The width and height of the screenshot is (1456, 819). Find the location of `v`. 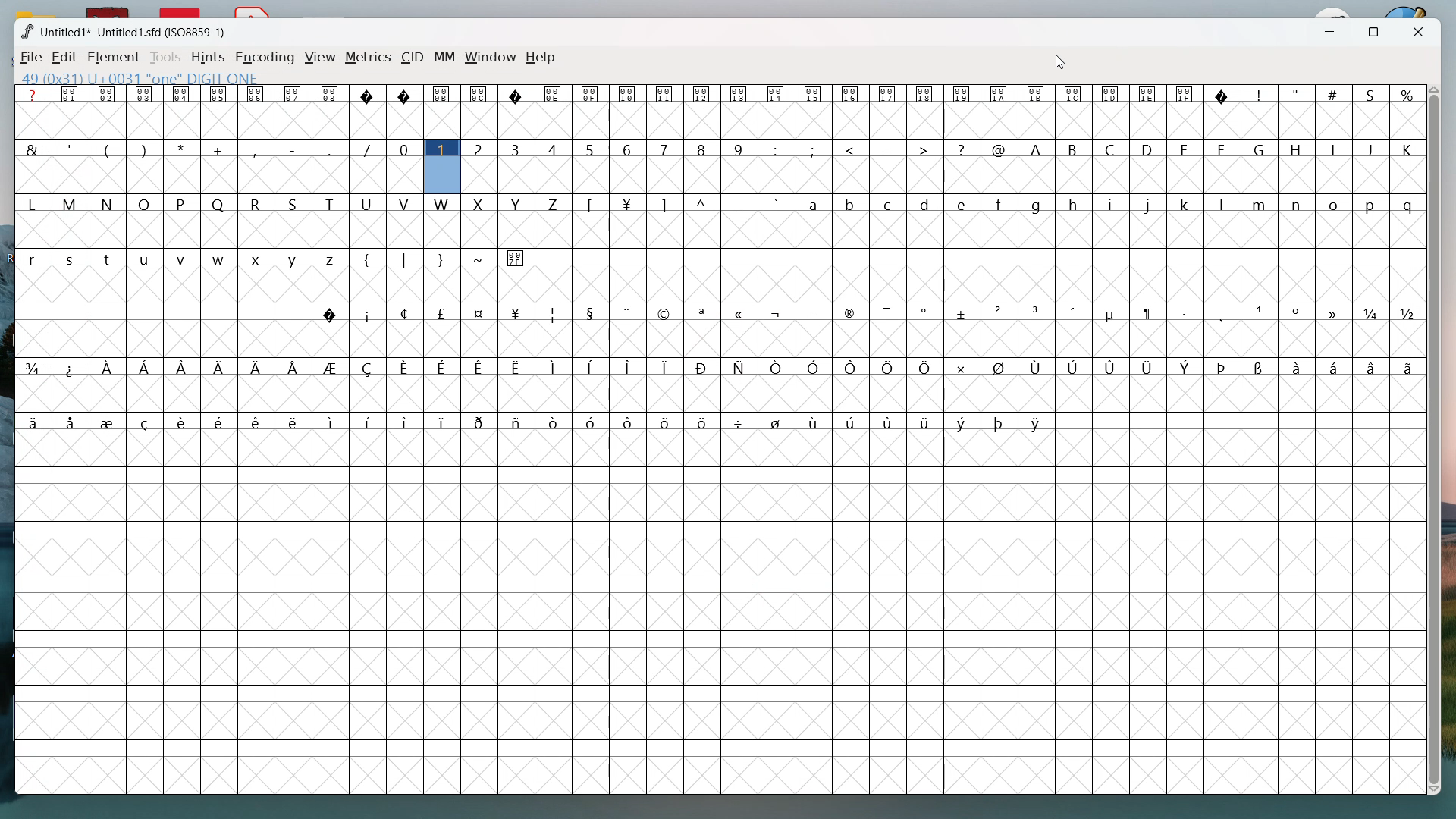

v is located at coordinates (184, 259).